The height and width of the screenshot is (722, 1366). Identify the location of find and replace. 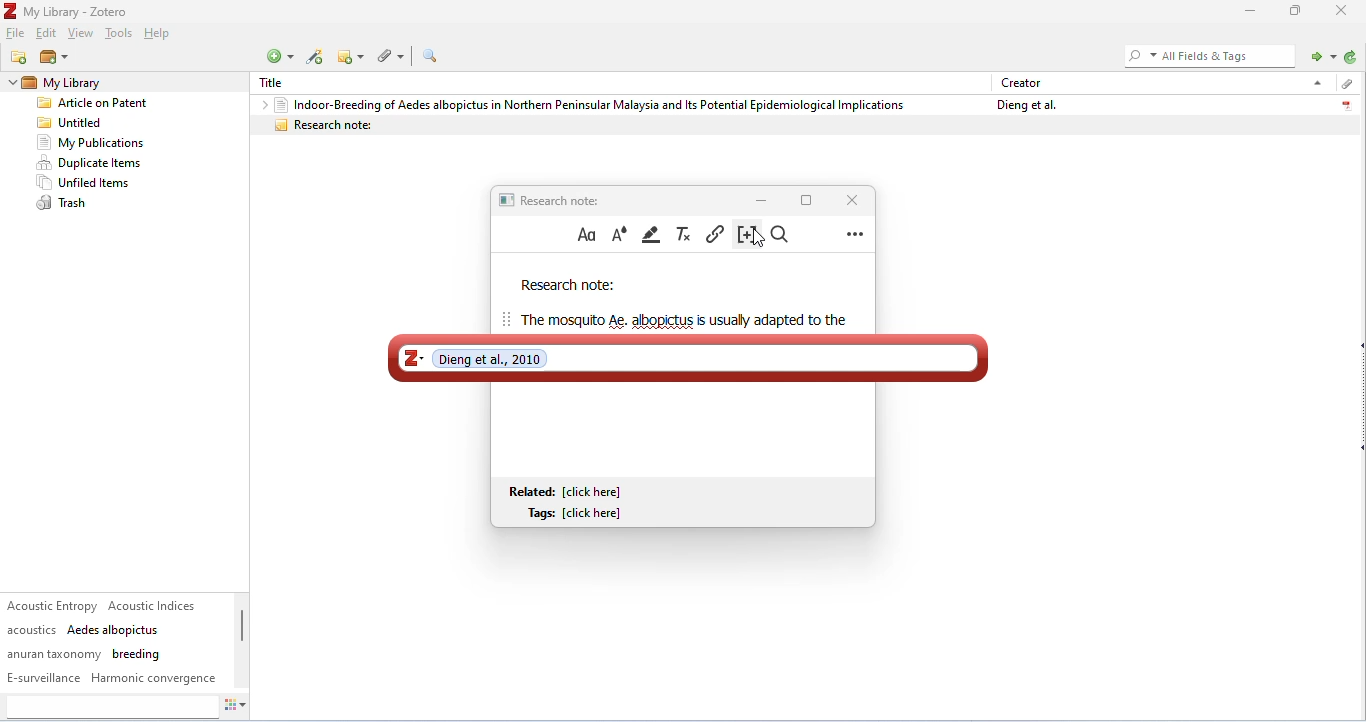
(783, 235).